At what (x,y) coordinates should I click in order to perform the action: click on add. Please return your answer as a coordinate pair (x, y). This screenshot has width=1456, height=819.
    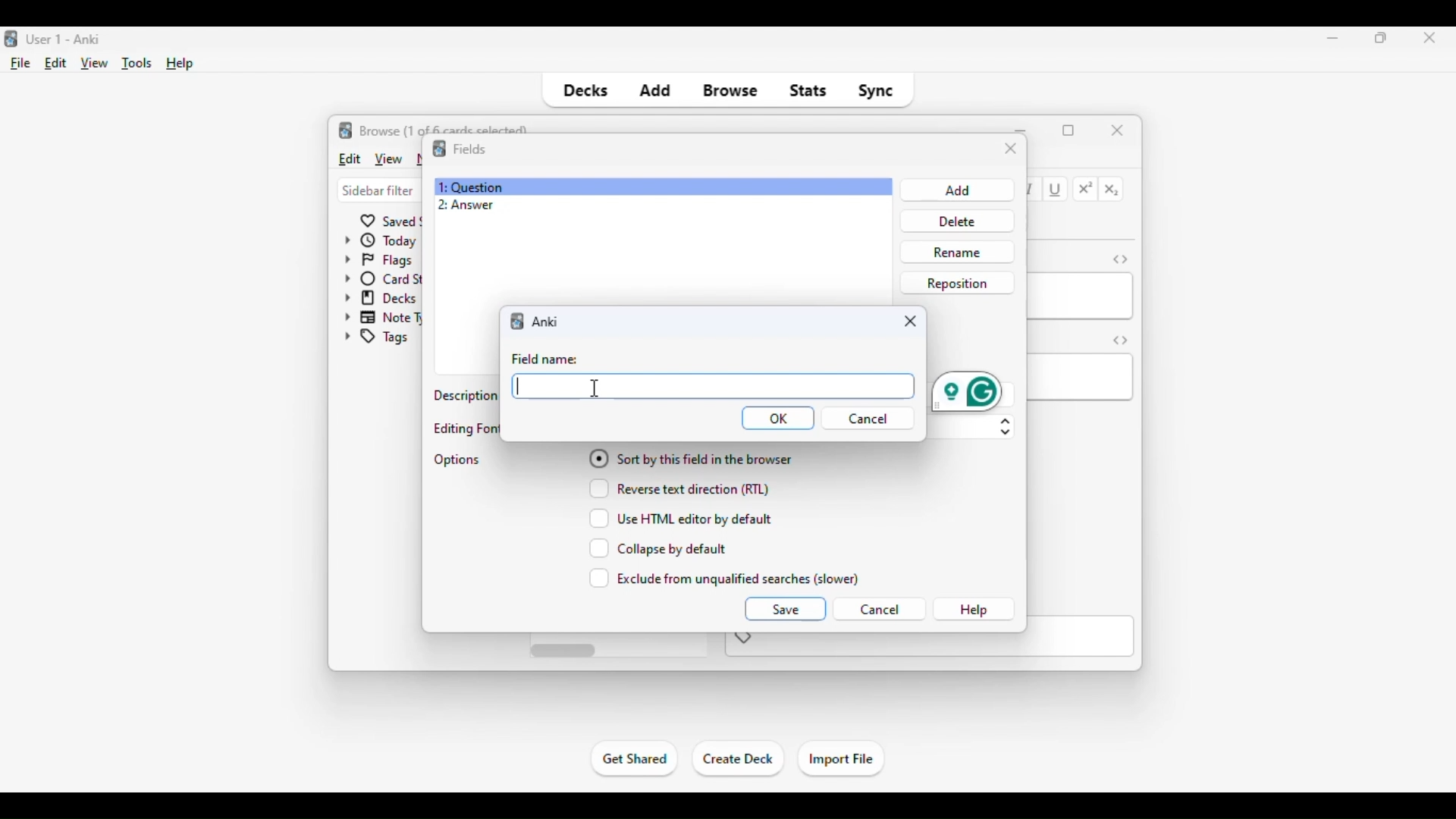
    Looking at the image, I should click on (955, 190).